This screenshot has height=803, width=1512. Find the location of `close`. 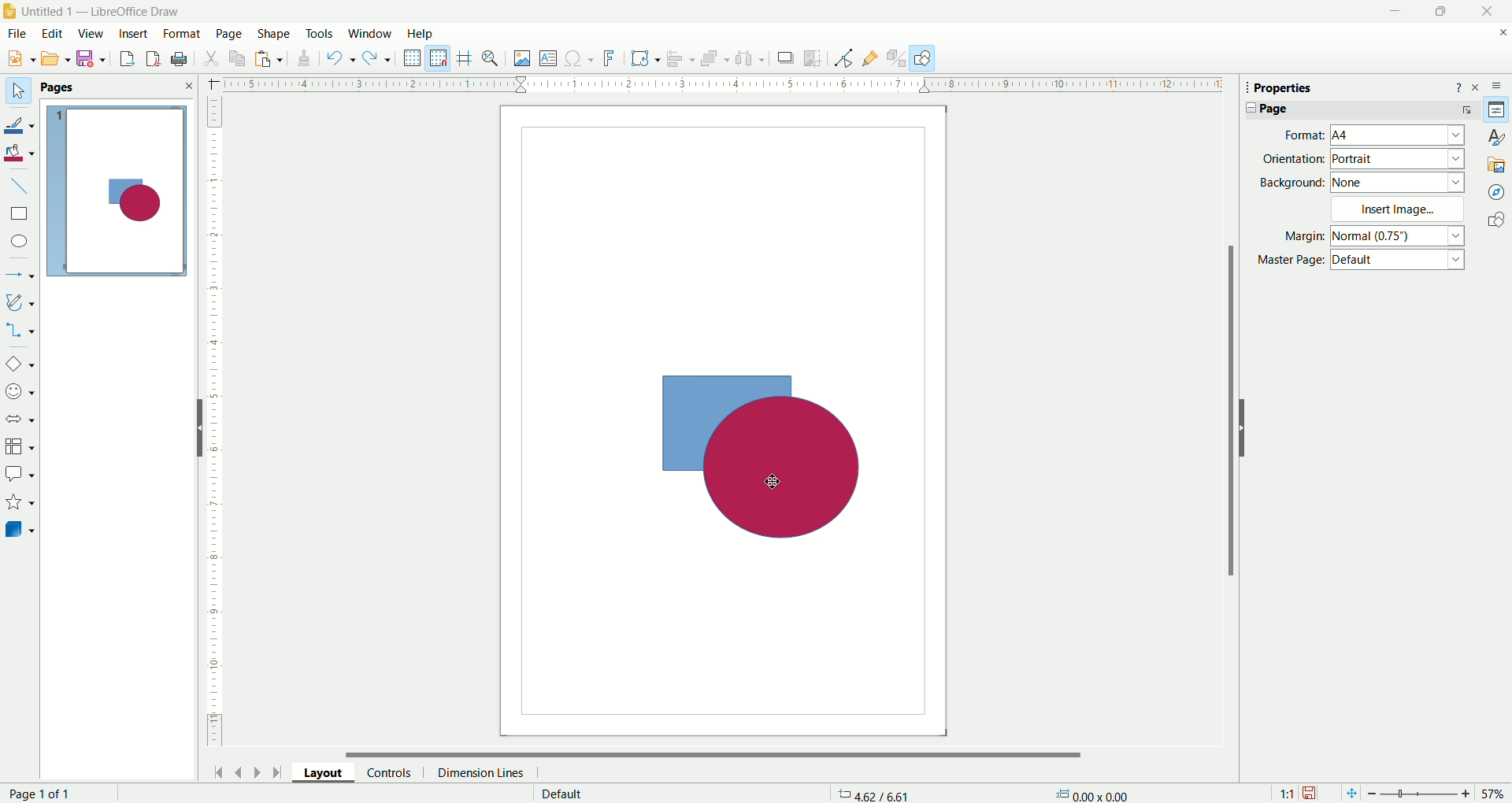

close is located at coordinates (1478, 86).